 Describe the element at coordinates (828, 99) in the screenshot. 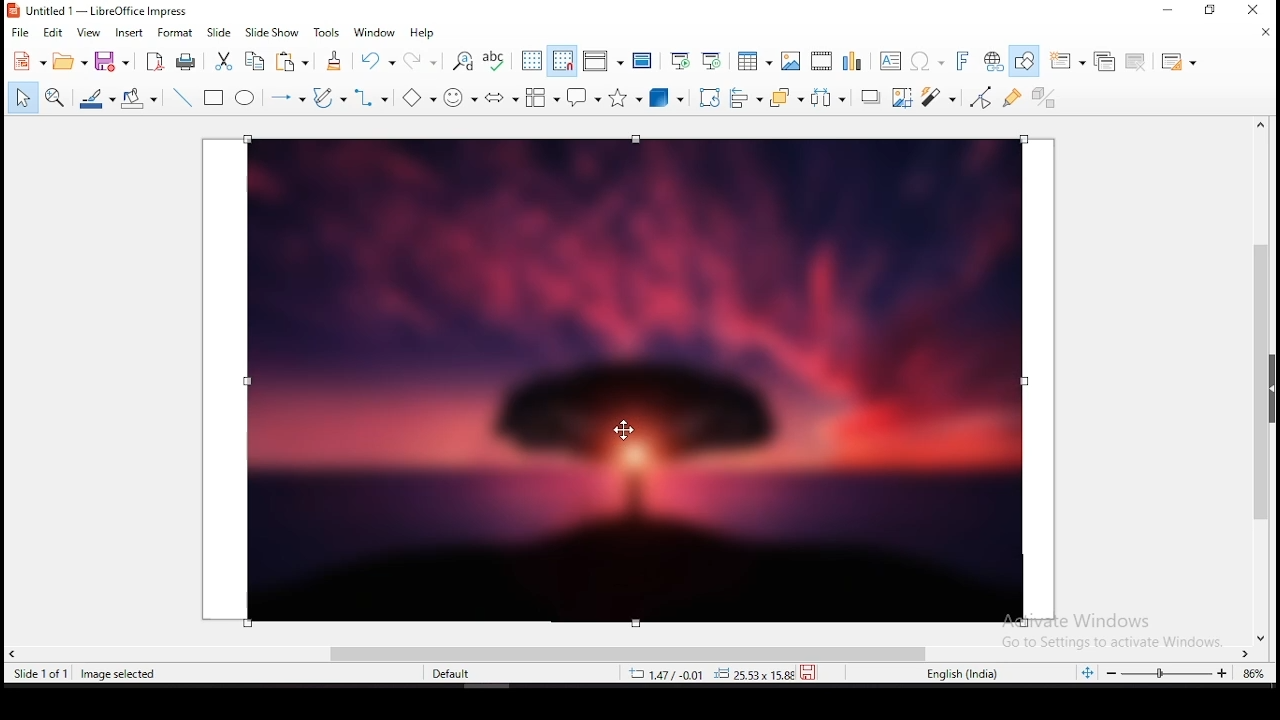

I see `distribute` at that location.